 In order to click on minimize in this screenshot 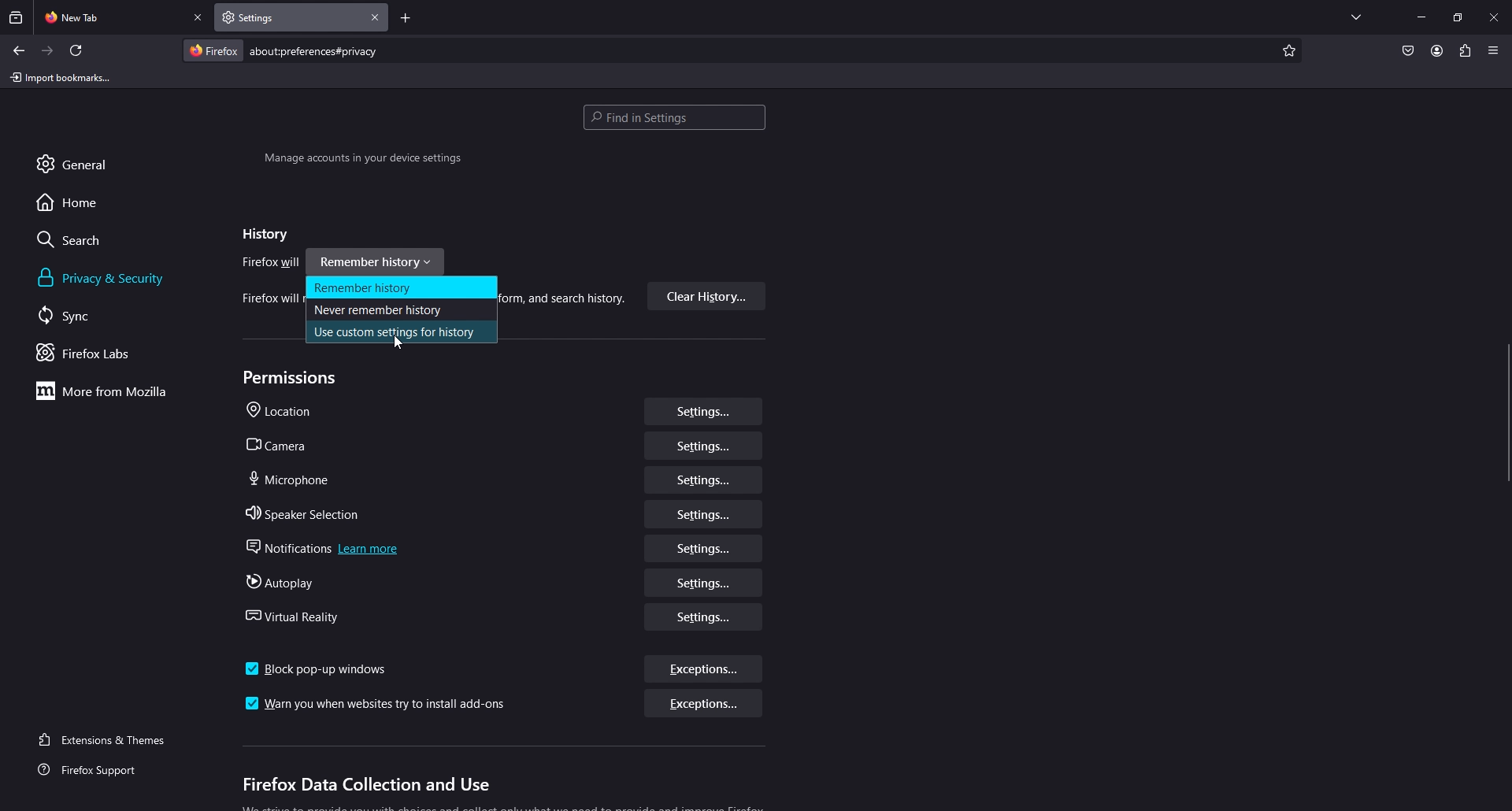, I will do `click(1421, 16)`.